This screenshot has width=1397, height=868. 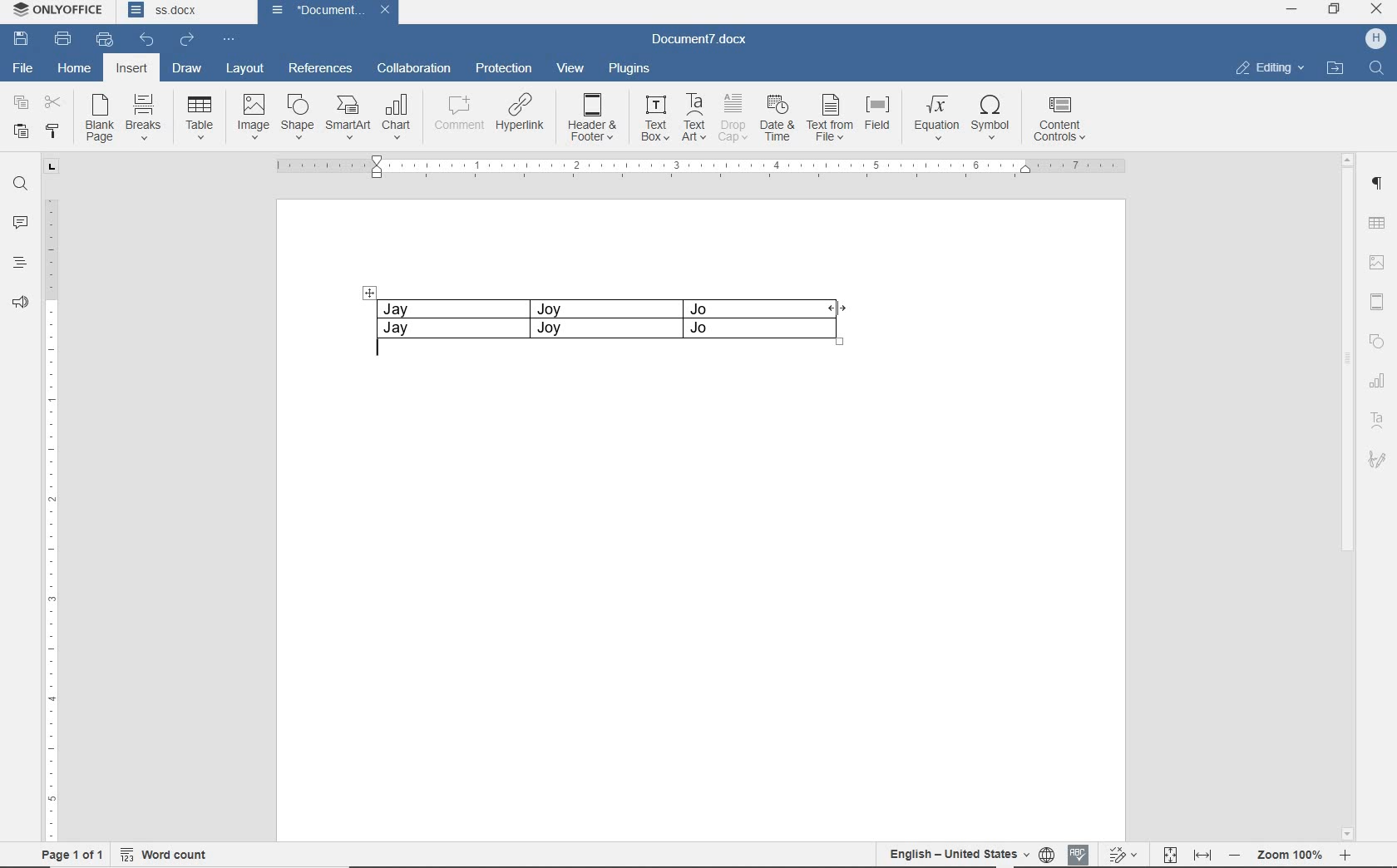 What do you see at coordinates (1202, 852) in the screenshot?
I see `FIT TO WIDTH` at bounding box center [1202, 852].